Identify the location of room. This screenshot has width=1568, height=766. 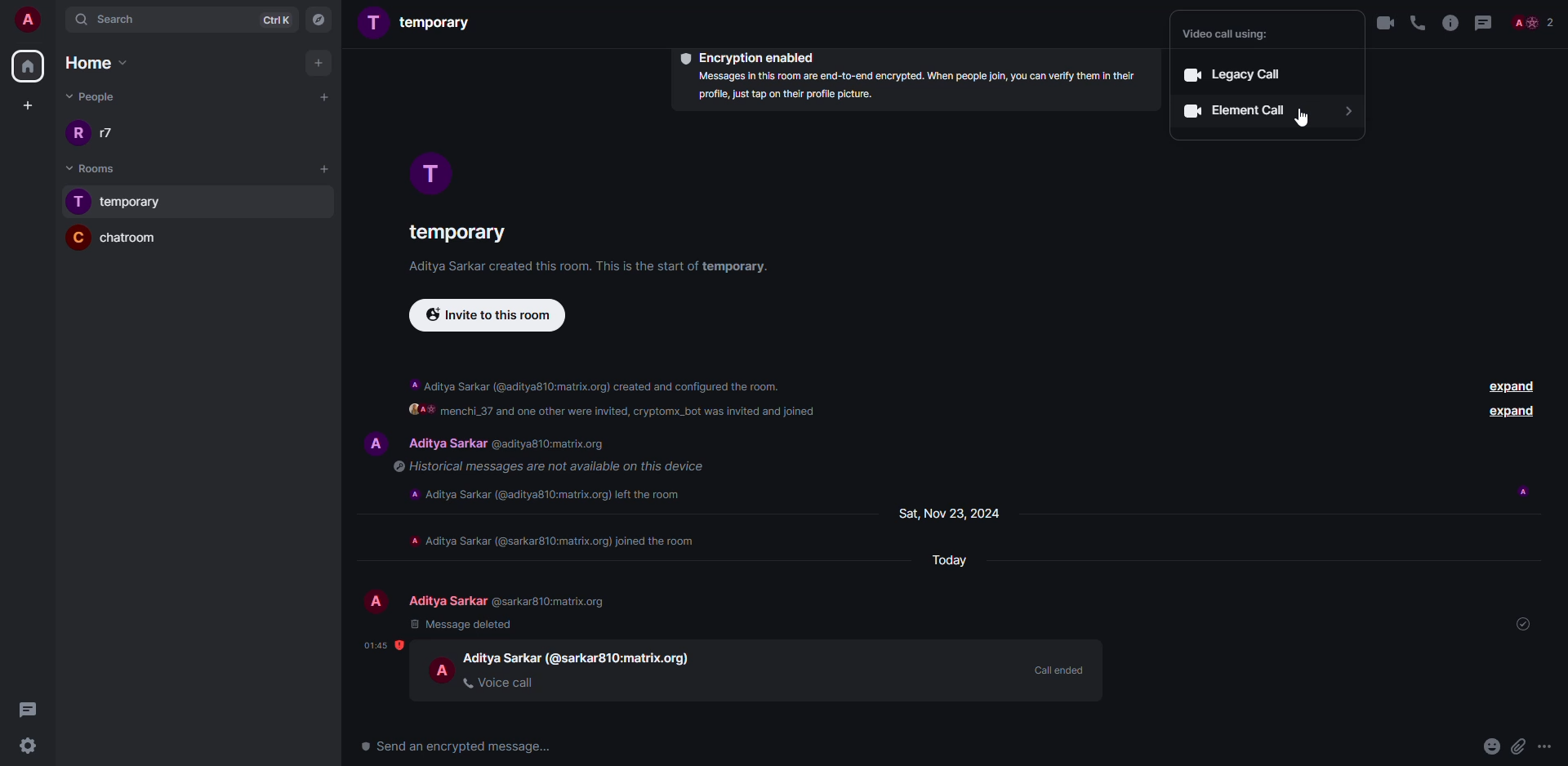
(139, 240).